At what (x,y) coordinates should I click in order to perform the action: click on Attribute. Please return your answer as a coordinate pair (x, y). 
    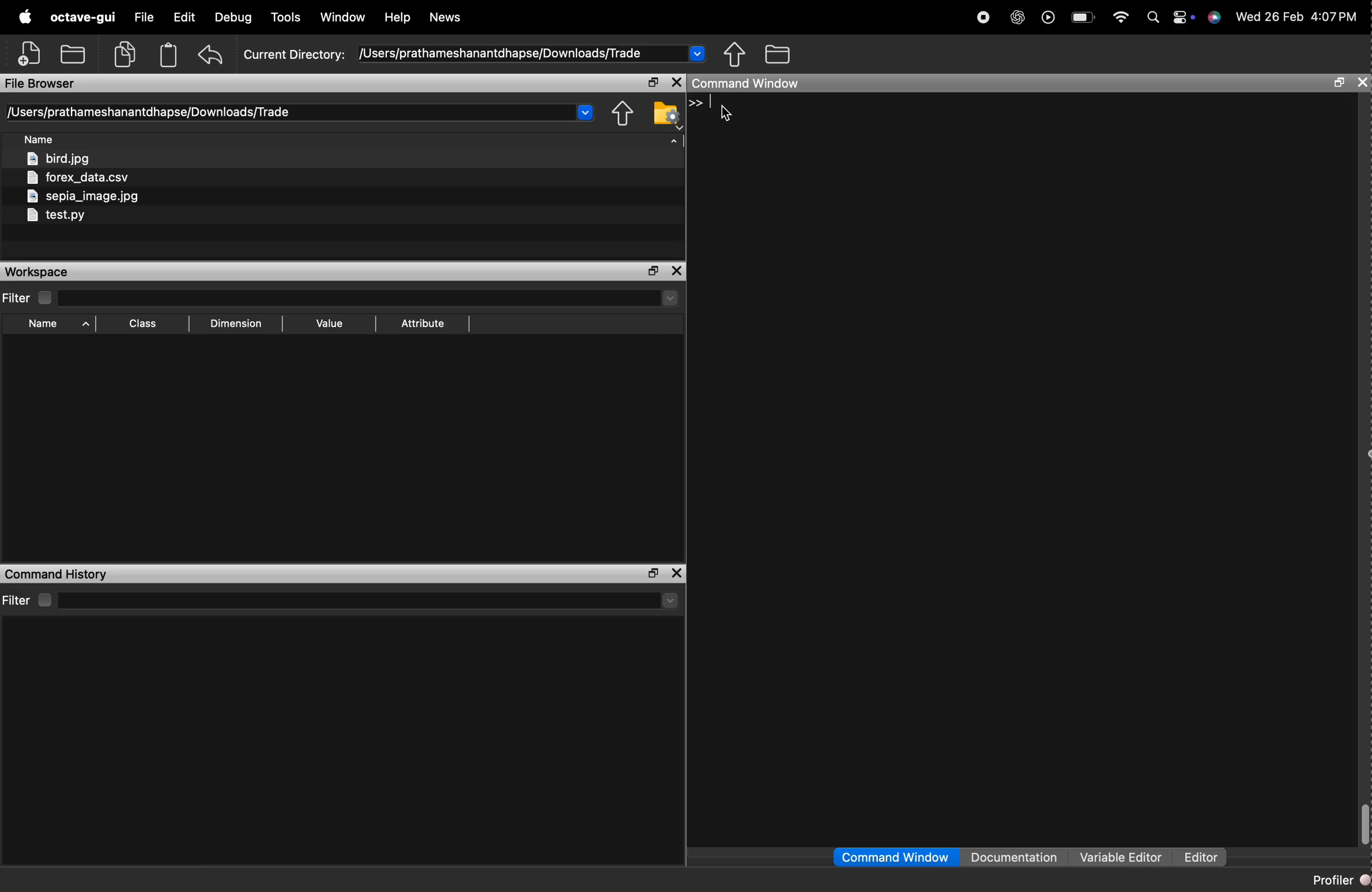
    Looking at the image, I should click on (424, 324).